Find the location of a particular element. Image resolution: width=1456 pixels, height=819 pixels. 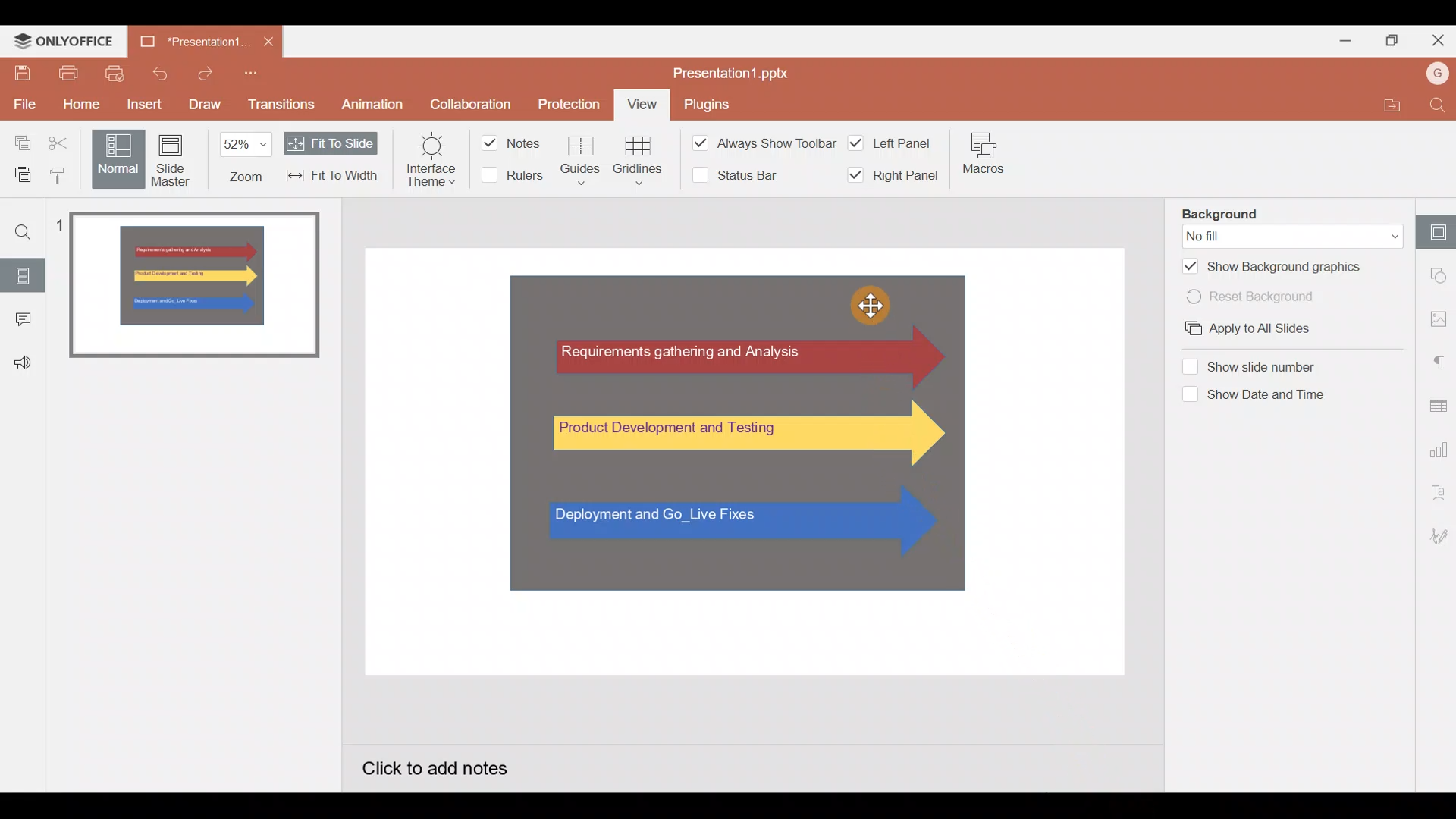

Shapes settings is located at coordinates (1437, 278).